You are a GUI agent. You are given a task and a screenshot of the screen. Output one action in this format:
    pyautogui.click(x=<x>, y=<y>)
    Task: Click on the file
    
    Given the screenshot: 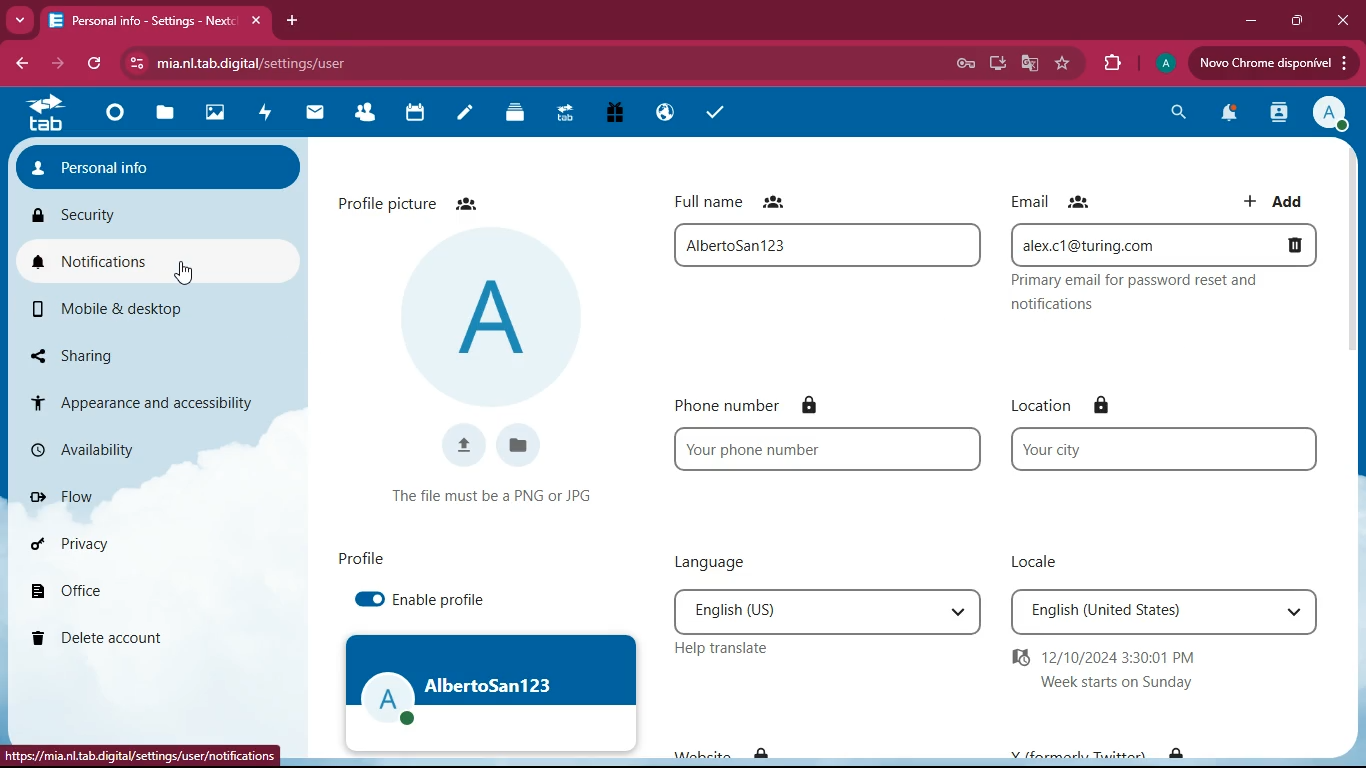 What is the action you would take?
    pyautogui.click(x=524, y=448)
    